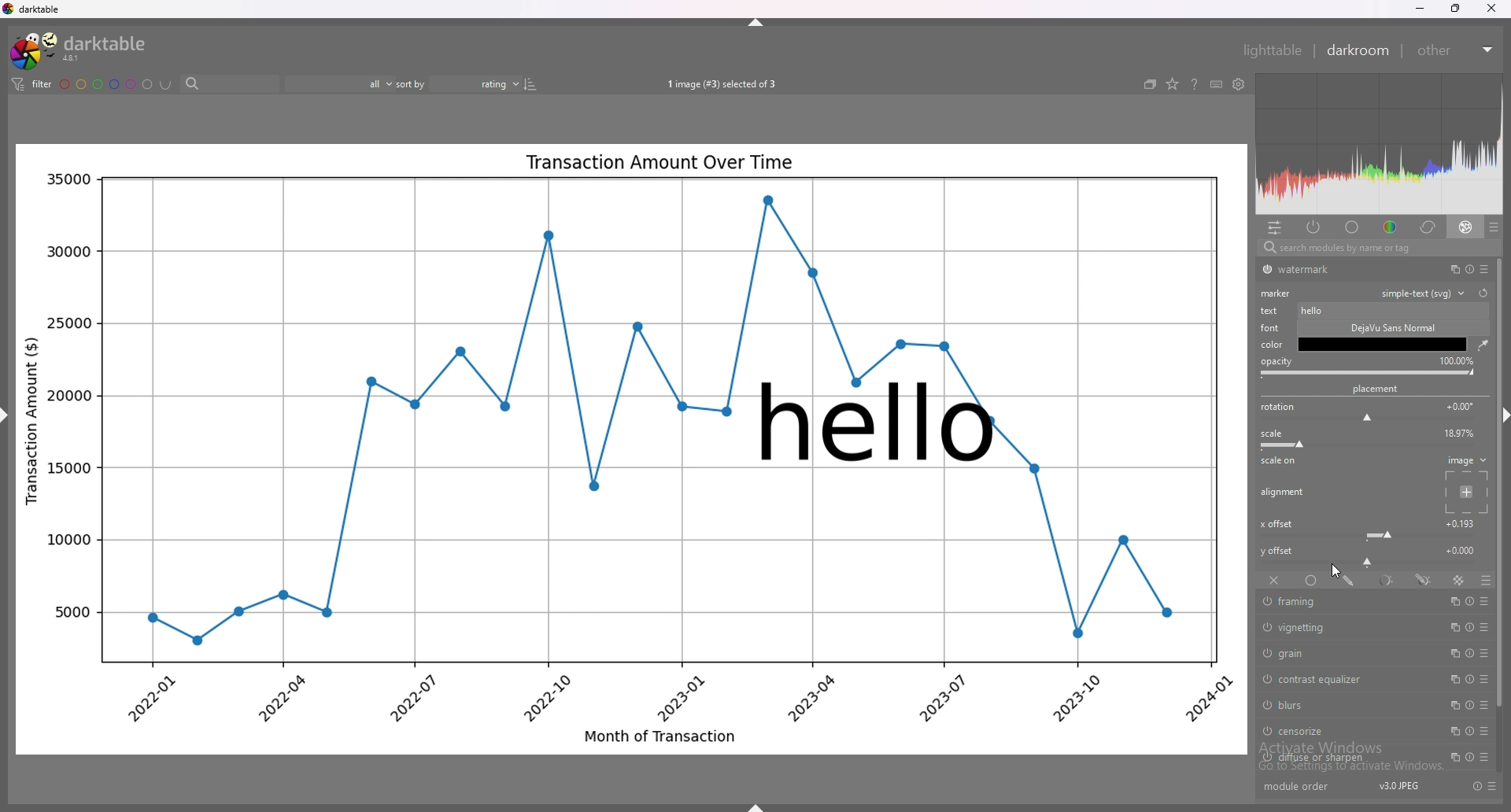 This screenshot has height=812, width=1511. Describe the element at coordinates (1173, 85) in the screenshot. I see `change type of overlays` at that location.